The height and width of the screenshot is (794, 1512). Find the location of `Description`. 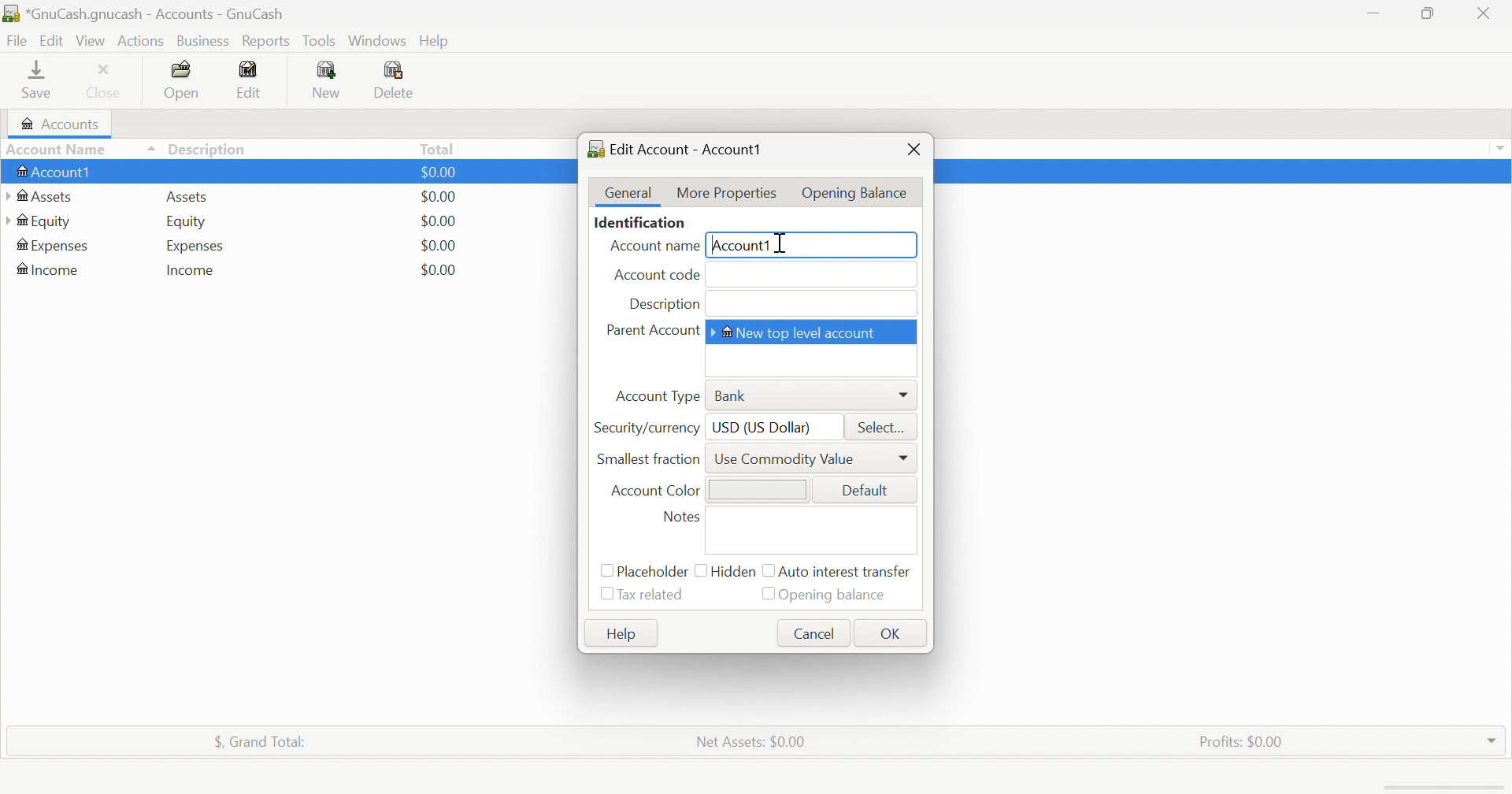

Description is located at coordinates (207, 149).